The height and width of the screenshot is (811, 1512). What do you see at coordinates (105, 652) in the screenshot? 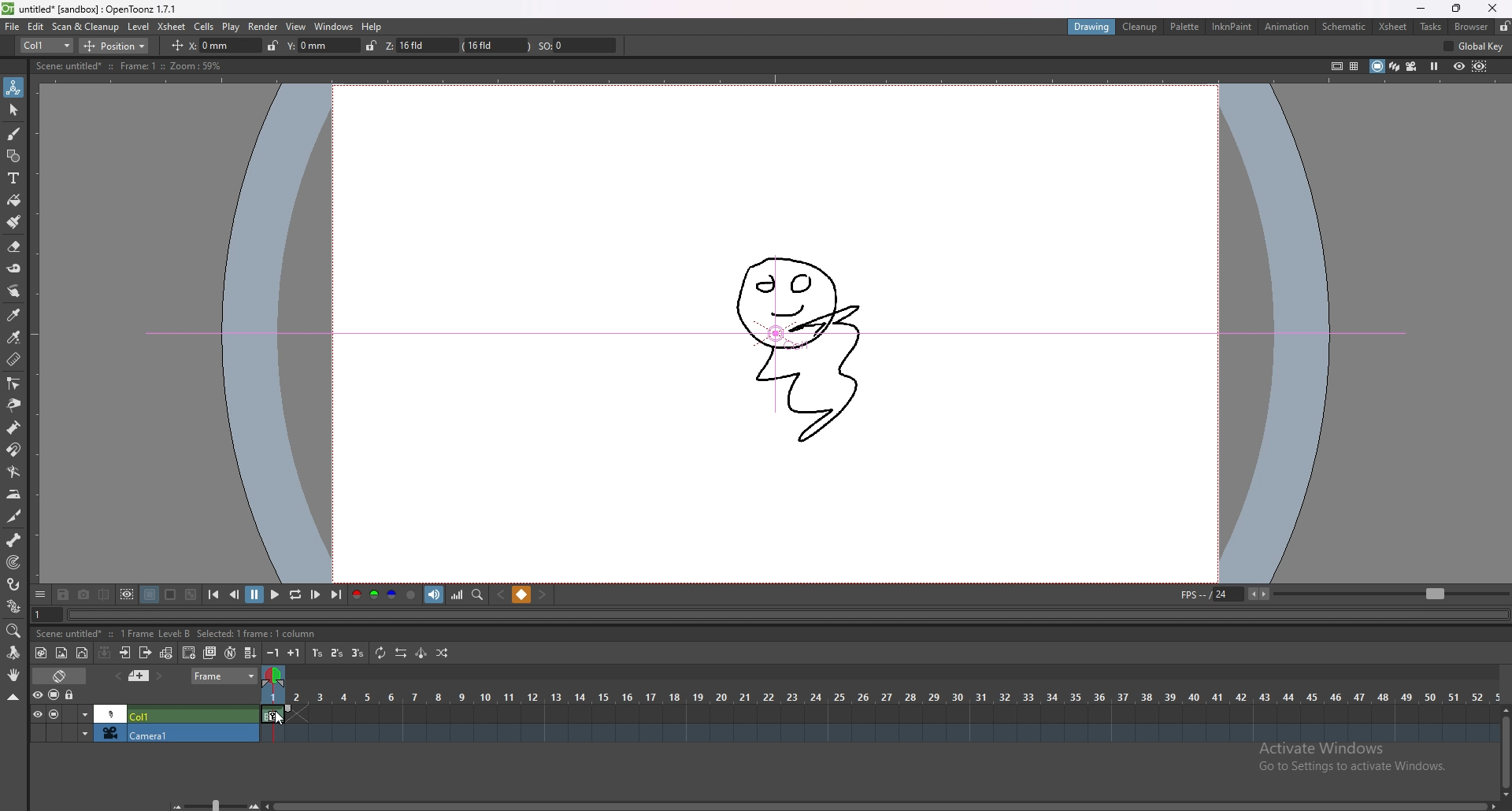
I see `collapse` at bounding box center [105, 652].